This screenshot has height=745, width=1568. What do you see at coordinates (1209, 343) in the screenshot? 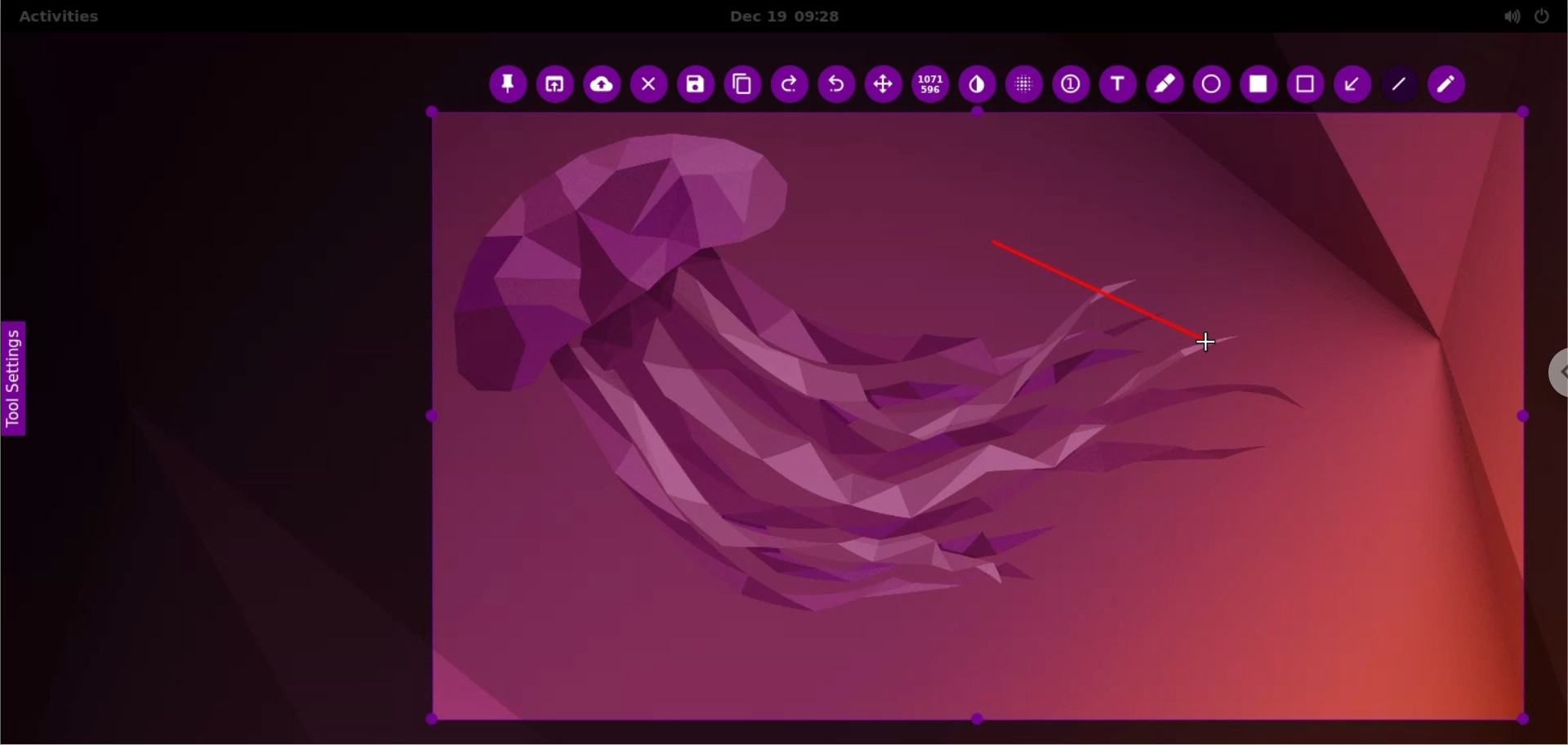
I see `cursor ` at bounding box center [1209, 343].